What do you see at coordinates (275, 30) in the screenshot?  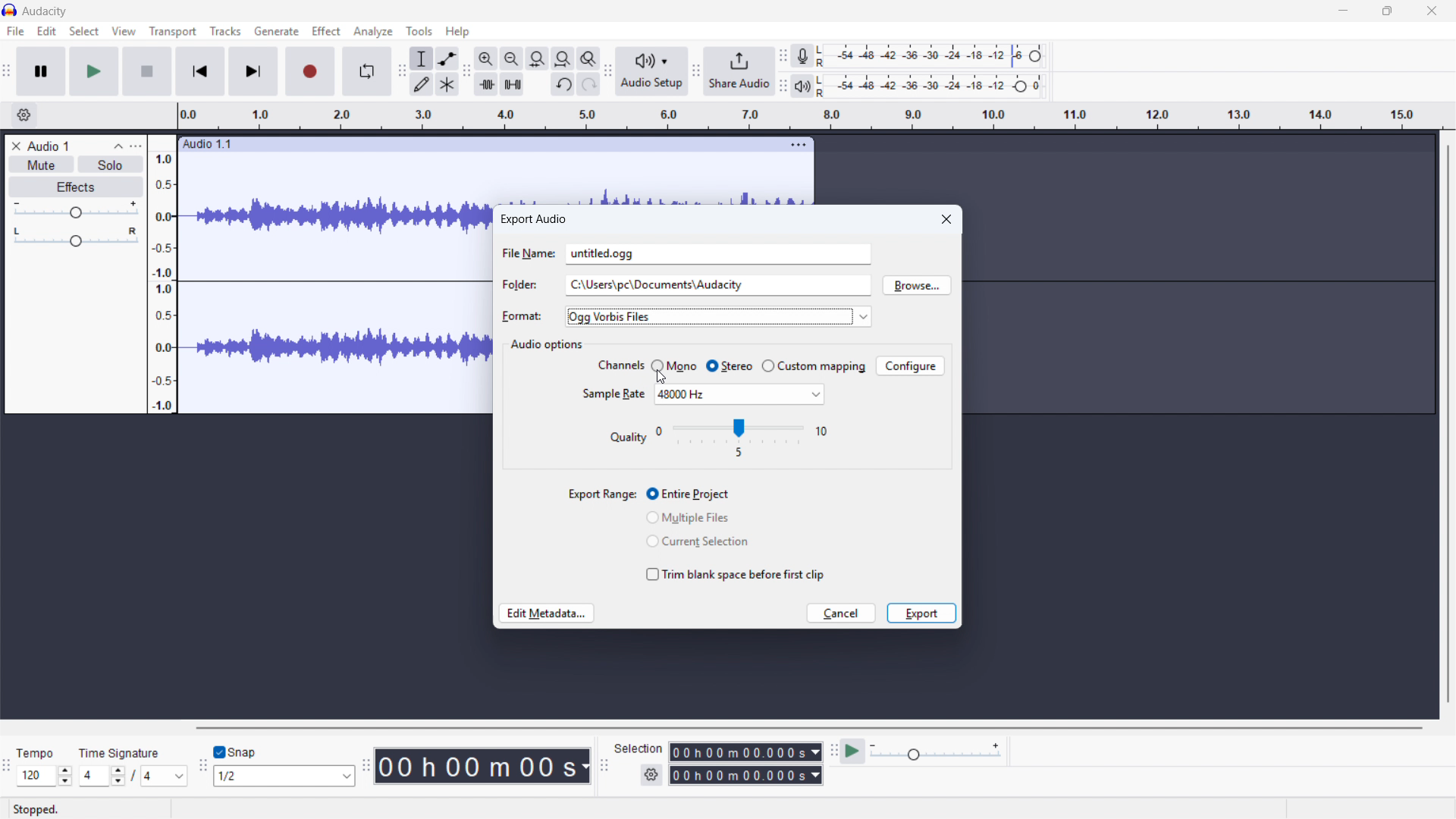 I see `Generate ` at bounding box center [275, 30].